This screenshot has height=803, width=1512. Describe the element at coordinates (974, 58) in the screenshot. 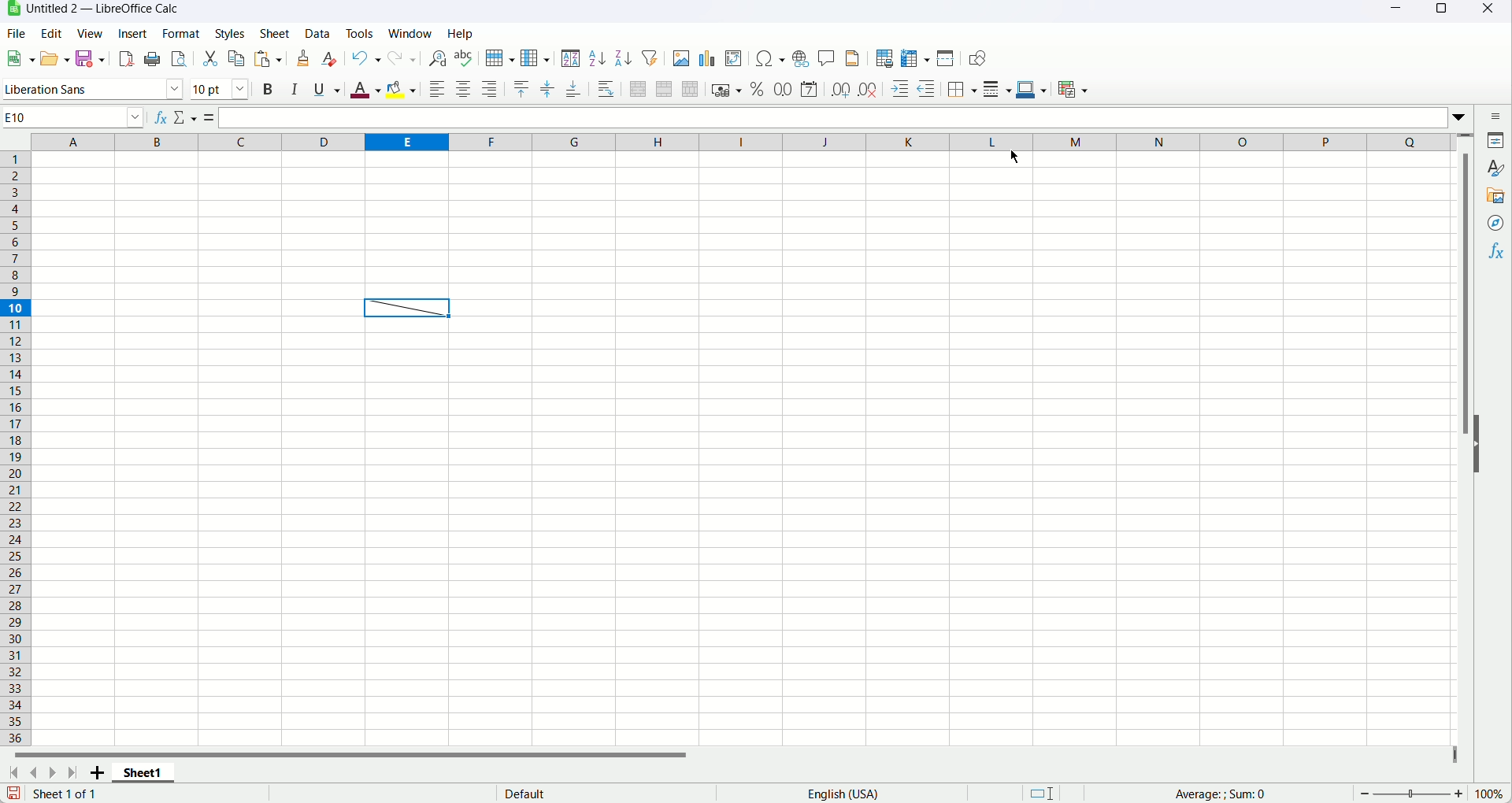

I see `Show draw functions` at that location.